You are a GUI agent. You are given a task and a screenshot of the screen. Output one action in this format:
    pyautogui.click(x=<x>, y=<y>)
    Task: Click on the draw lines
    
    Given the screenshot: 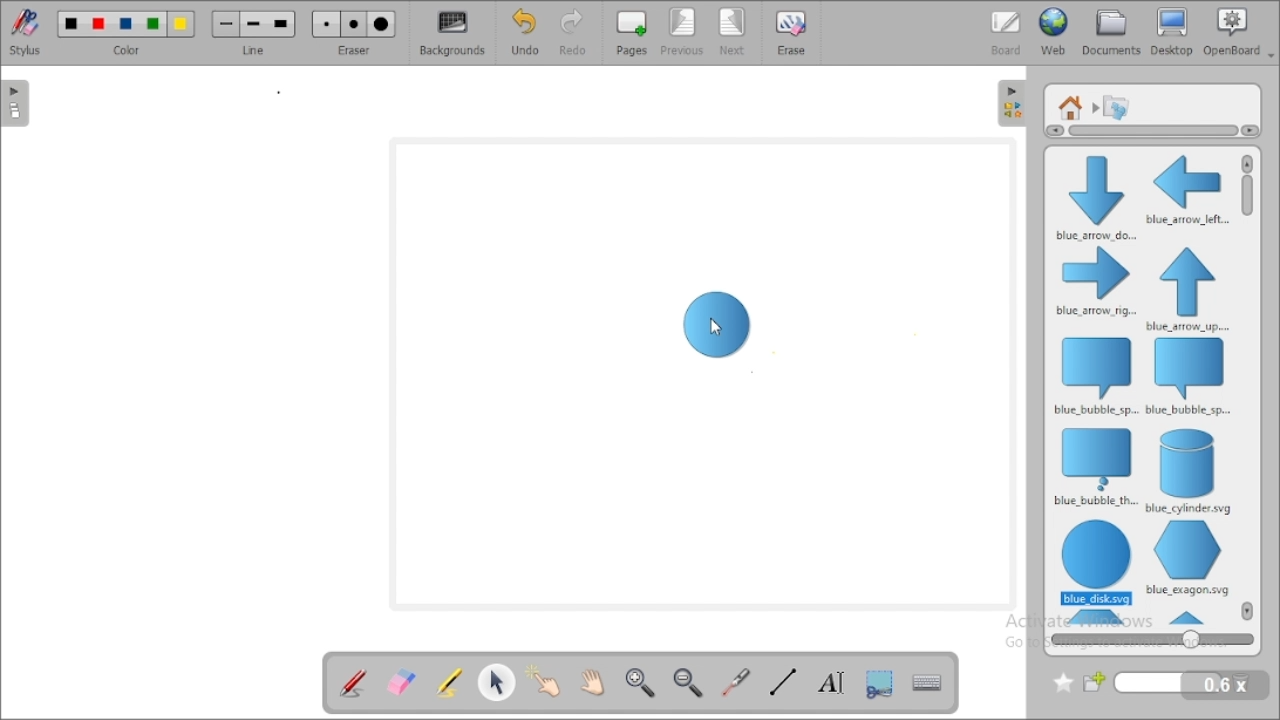 What is the action you would take?
    pyautogui.click(x=782, y=682)
    